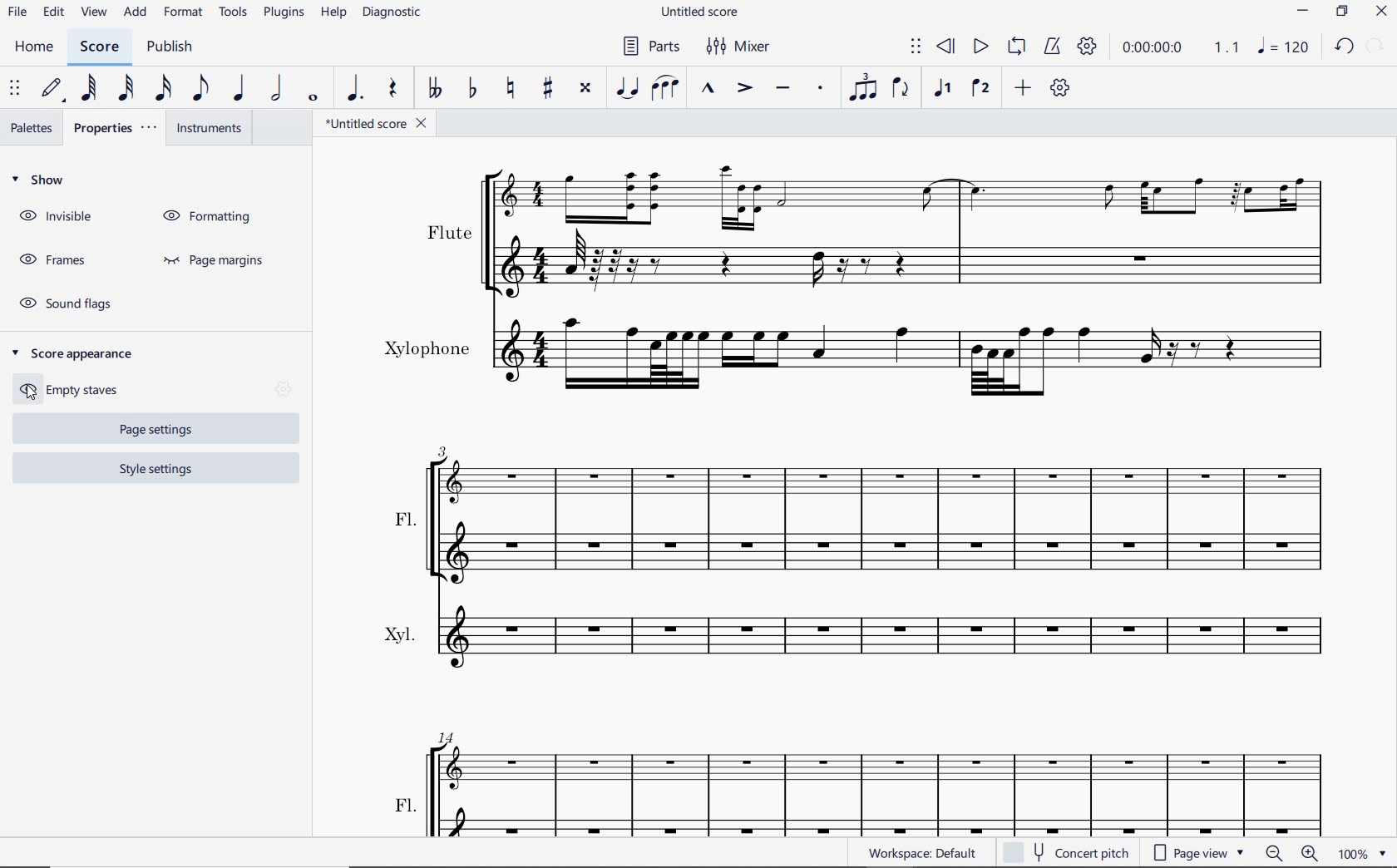 Image resolution: width=1397 pixels, height=868 pixels. What do you see at coordinates (1073, 854) in the screenshot?
I see `CONCERT PITCH` at bounding box center [1073, 854].